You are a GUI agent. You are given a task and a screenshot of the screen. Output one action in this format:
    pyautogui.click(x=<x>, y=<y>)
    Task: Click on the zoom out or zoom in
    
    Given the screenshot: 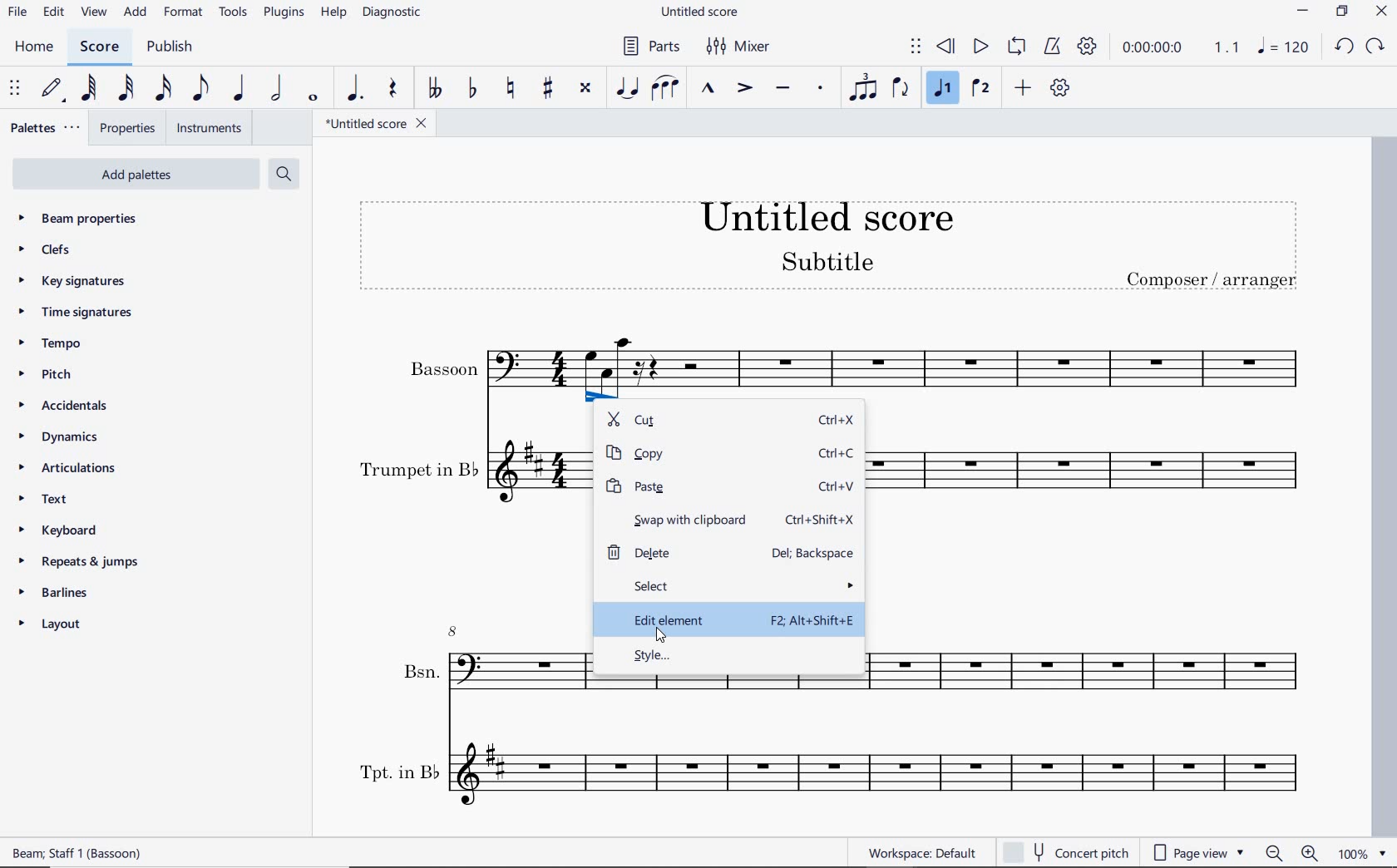 What is the action you would take?
    pyautogui.click(x=1292, y=851)
    